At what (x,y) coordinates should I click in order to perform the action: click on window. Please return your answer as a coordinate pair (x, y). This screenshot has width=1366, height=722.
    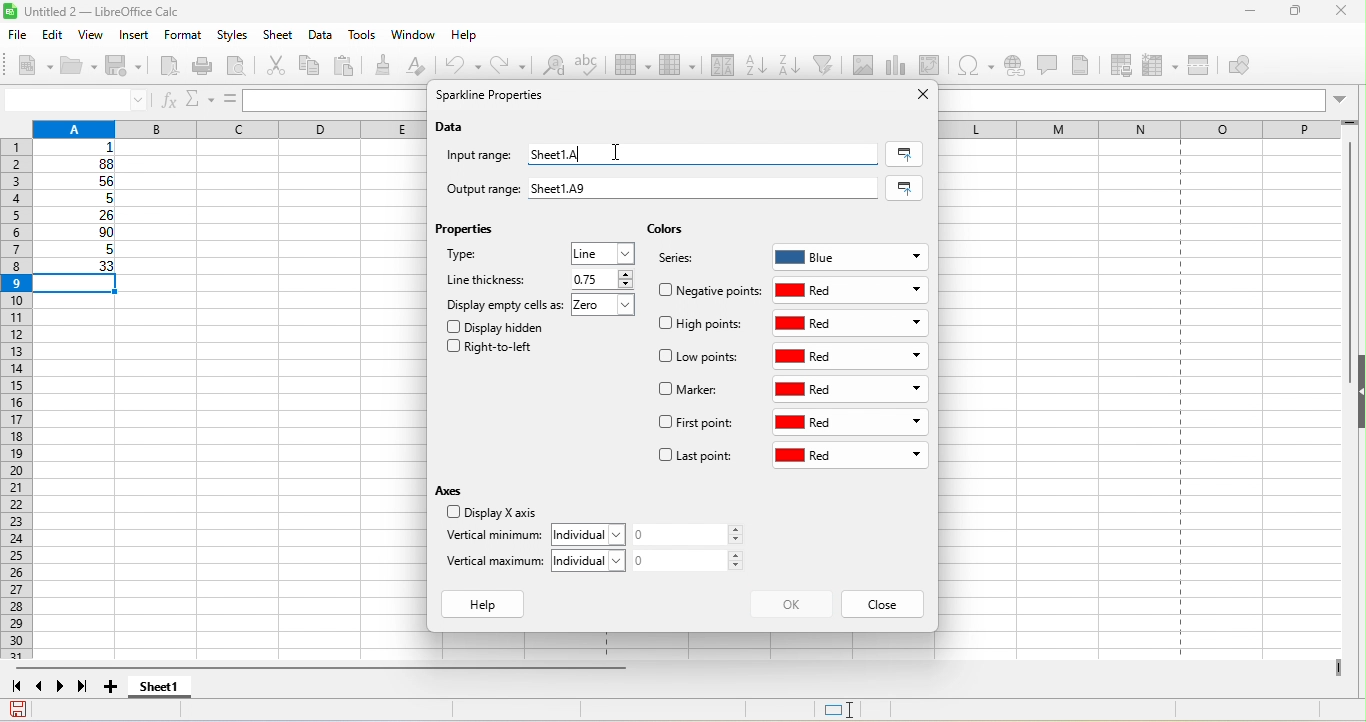
    Looking at the image, I should click on (413, 37).